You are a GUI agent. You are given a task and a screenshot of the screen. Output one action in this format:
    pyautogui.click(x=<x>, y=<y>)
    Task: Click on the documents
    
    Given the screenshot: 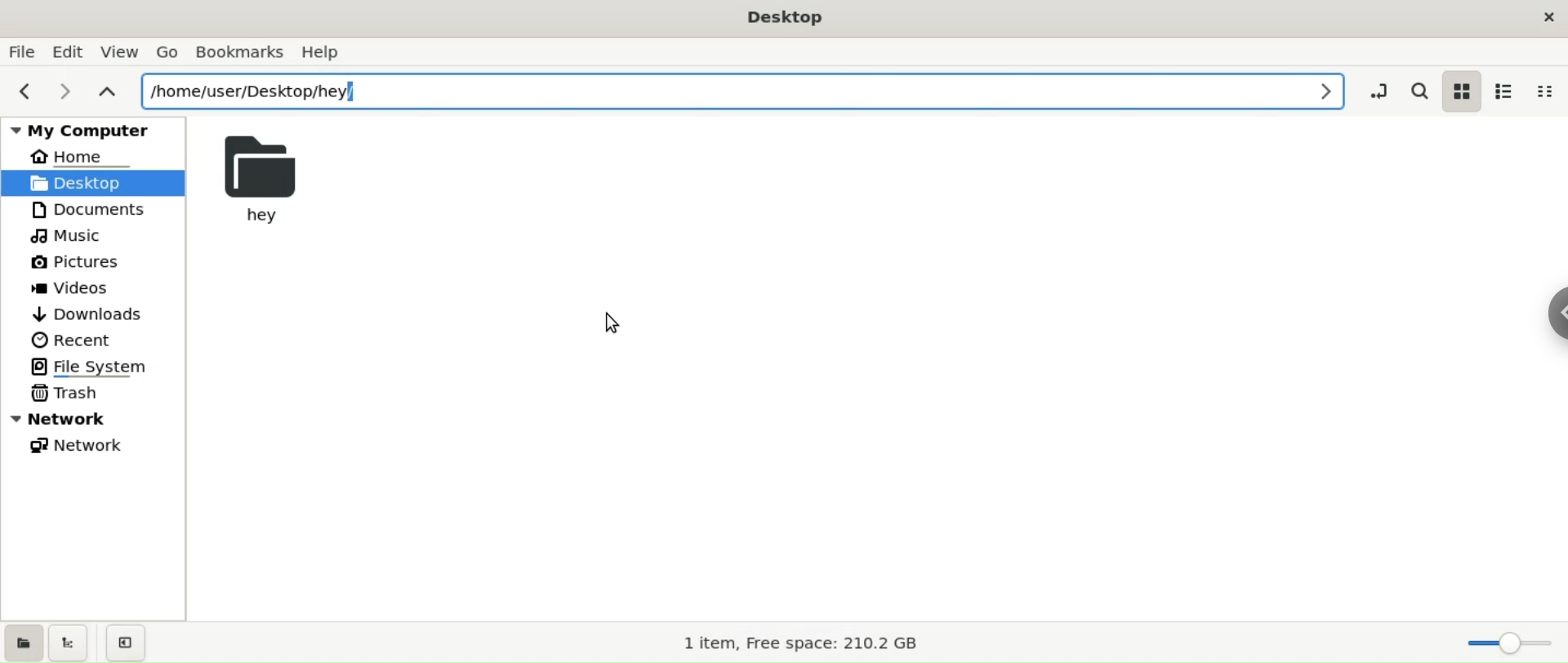 What is the action you would take?
    pyautogui.click(x=87, y=211)
    